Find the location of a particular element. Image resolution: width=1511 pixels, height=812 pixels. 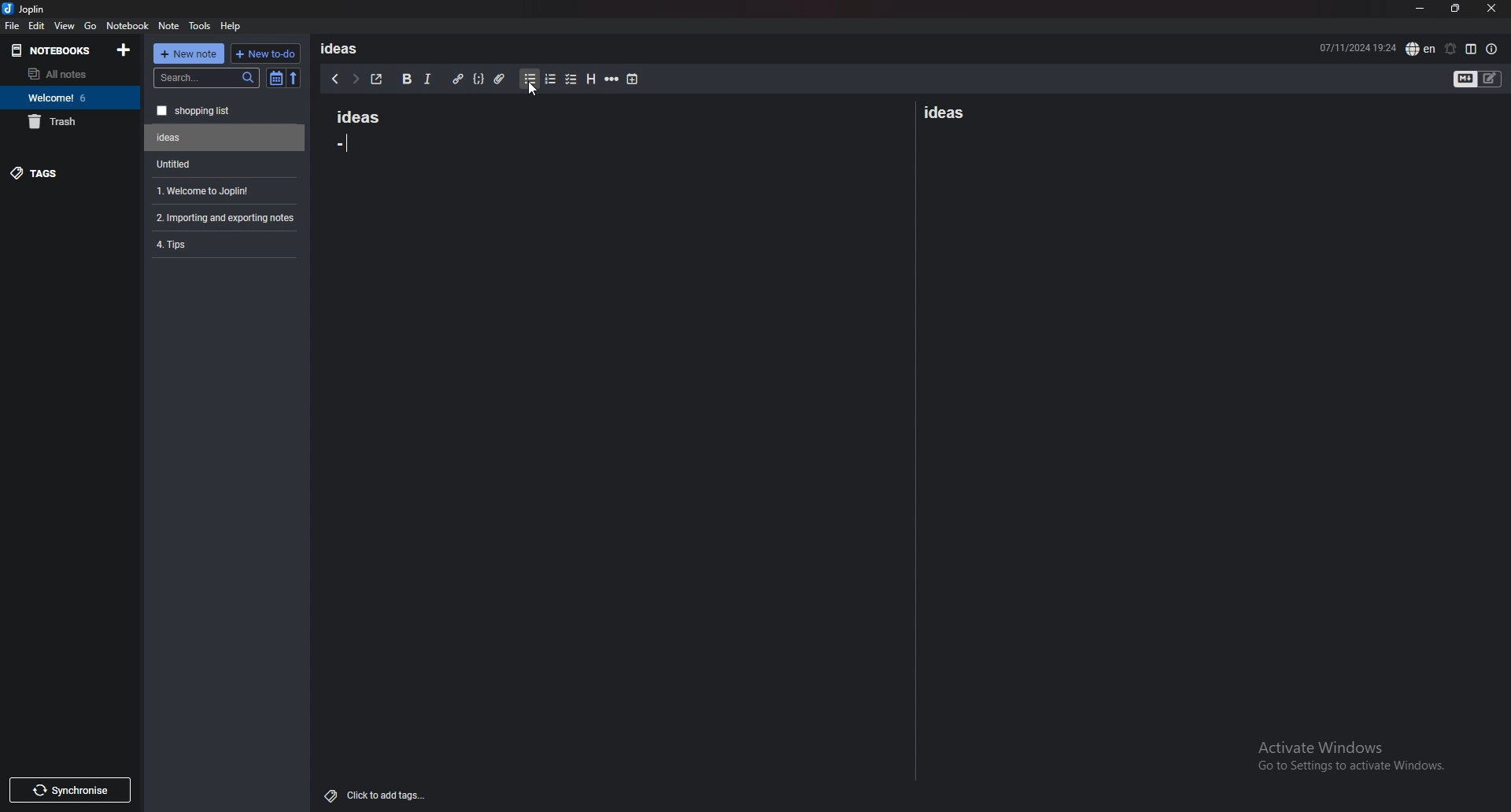

07/11/2024 19:24 is located at coordinates (1358, 46).